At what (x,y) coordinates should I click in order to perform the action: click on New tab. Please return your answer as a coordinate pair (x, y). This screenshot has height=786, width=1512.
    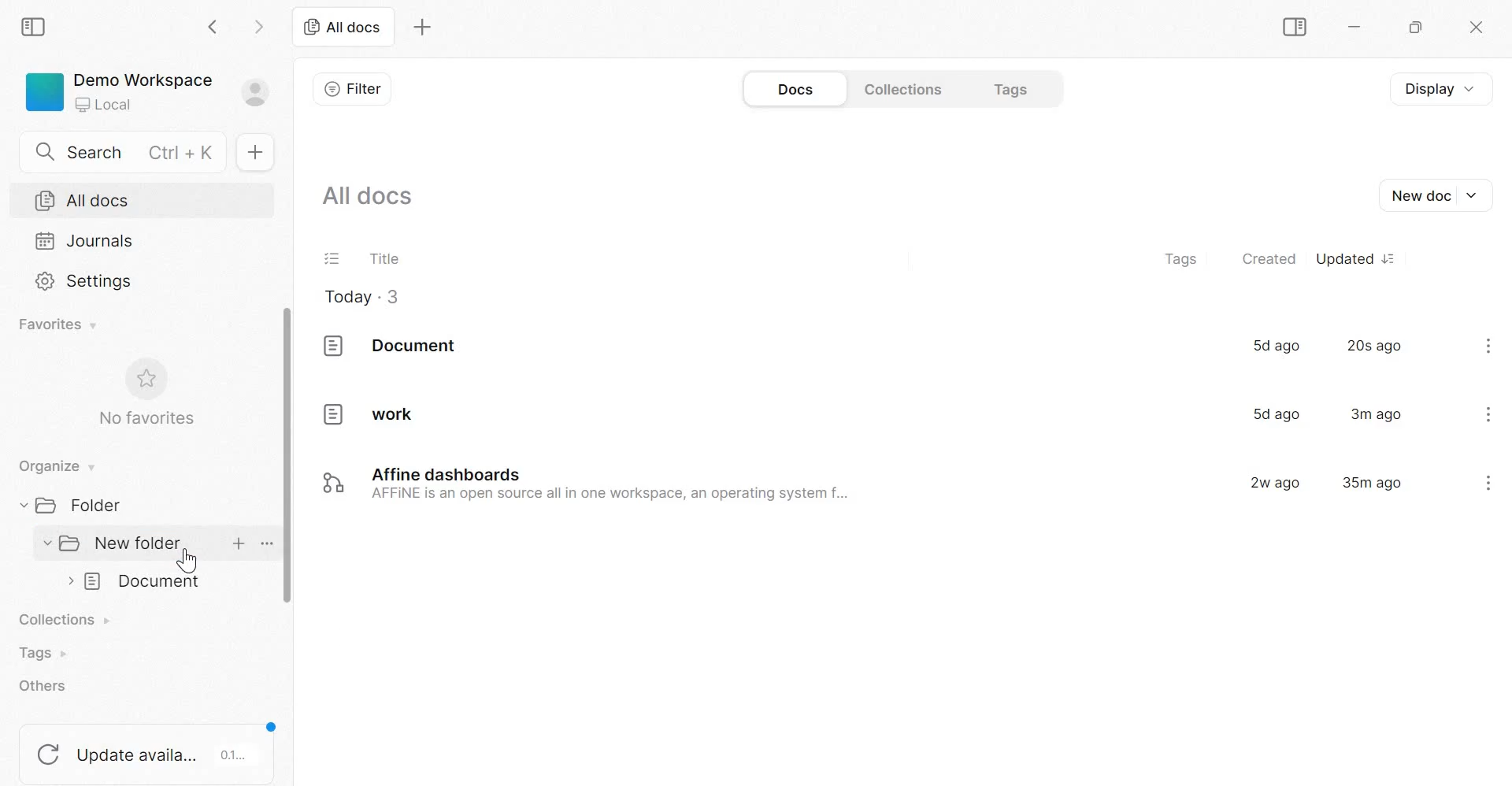
    Looking at the image, I should click on (422, 26).